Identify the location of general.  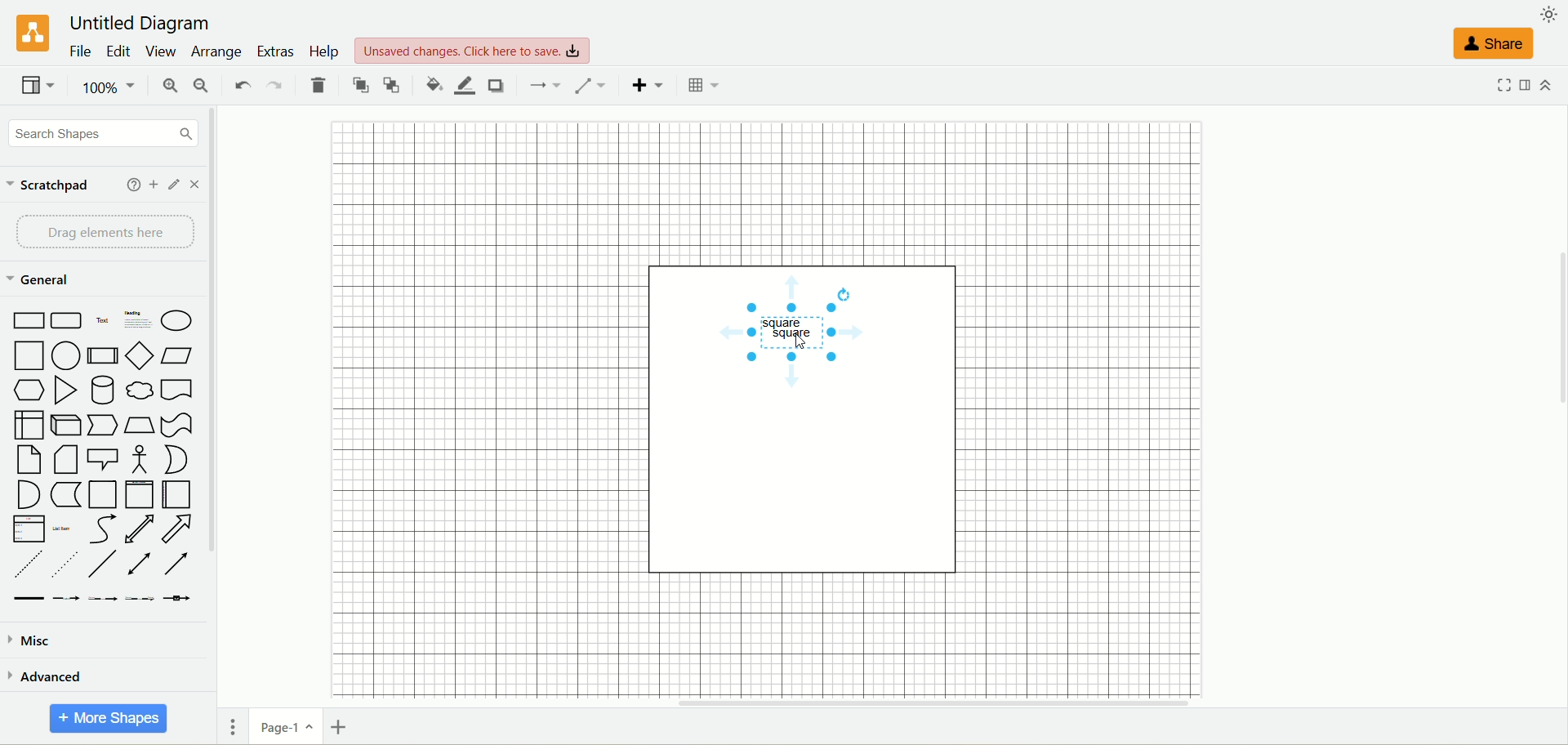
(45, 281).